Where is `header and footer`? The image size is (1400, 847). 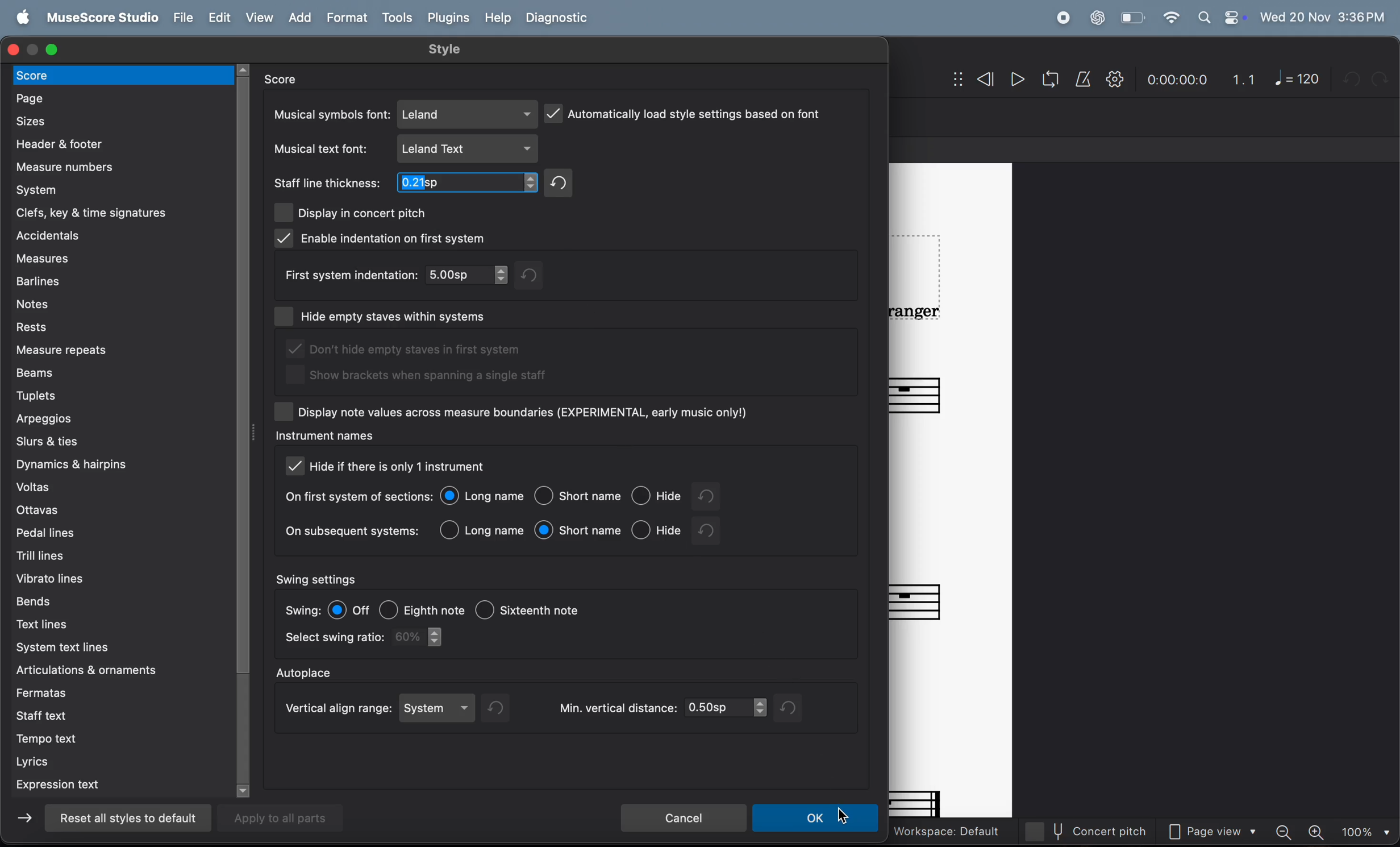
header and footer is located at coordinates (115, 143).